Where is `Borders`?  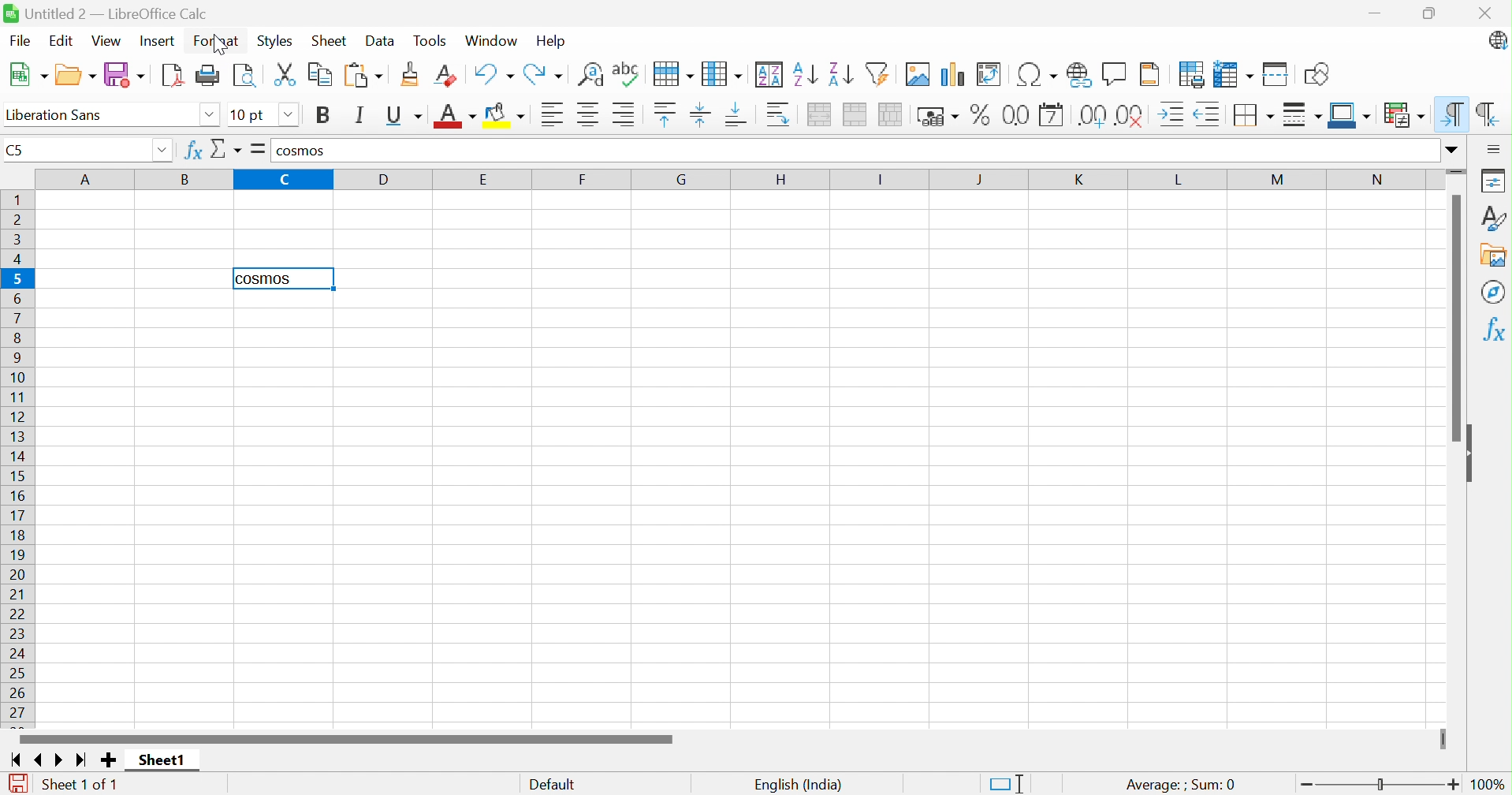 Borders is located at coordinates (1256, 116).